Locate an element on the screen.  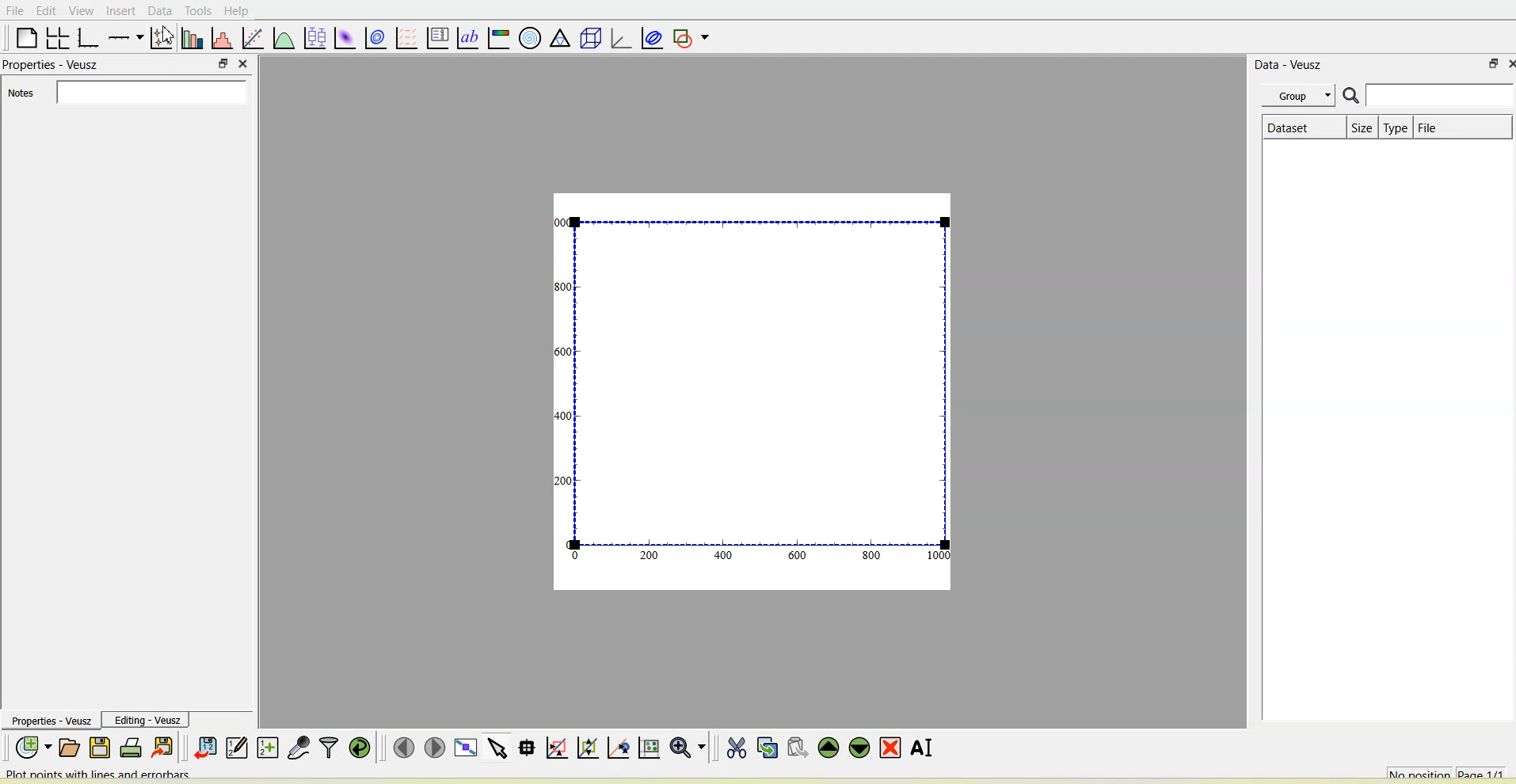
Move the selected widget up is located at coordinates (829, 748).